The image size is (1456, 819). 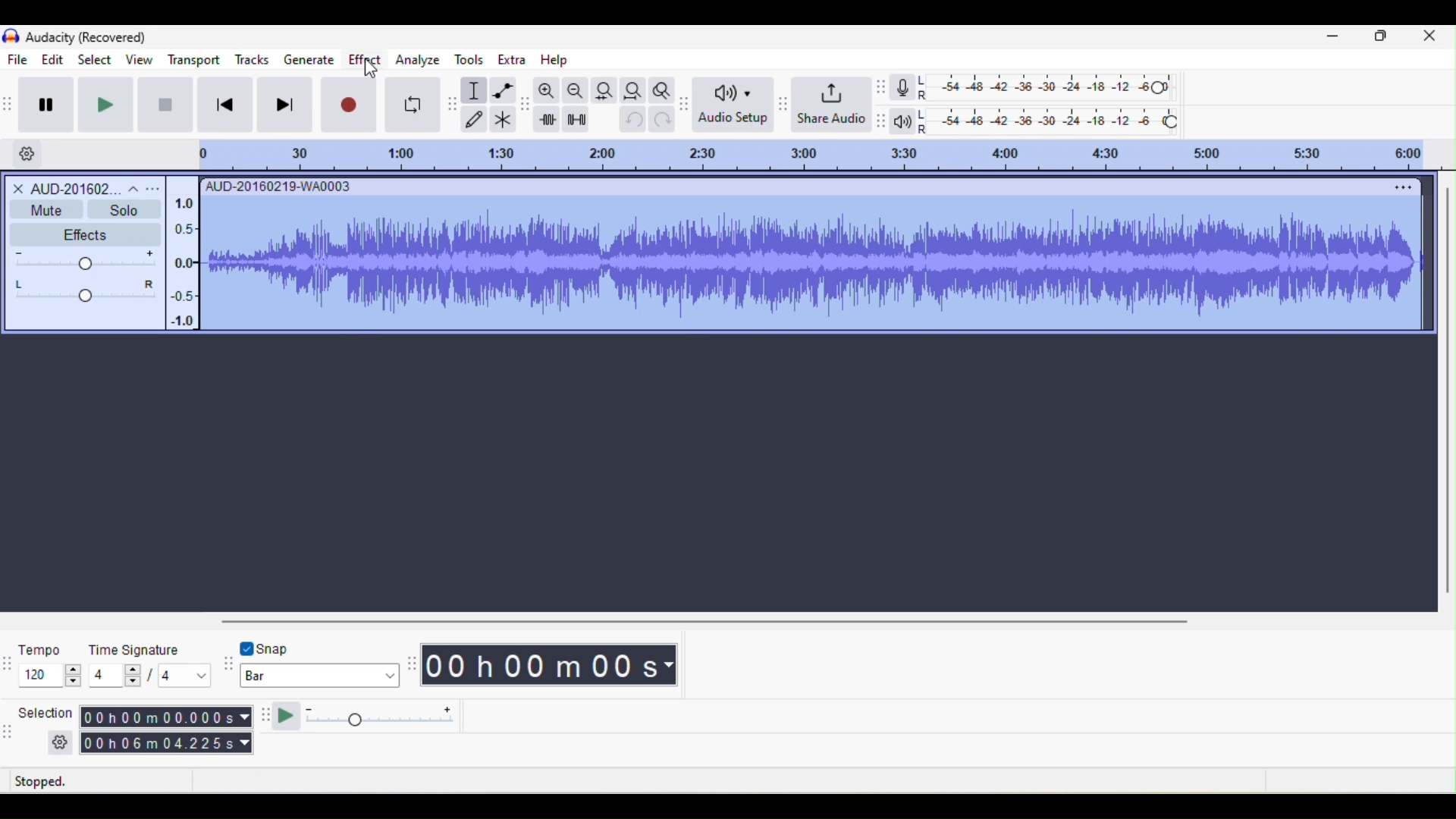 I want to click on silence audio selection, so click(x=576, y=119).